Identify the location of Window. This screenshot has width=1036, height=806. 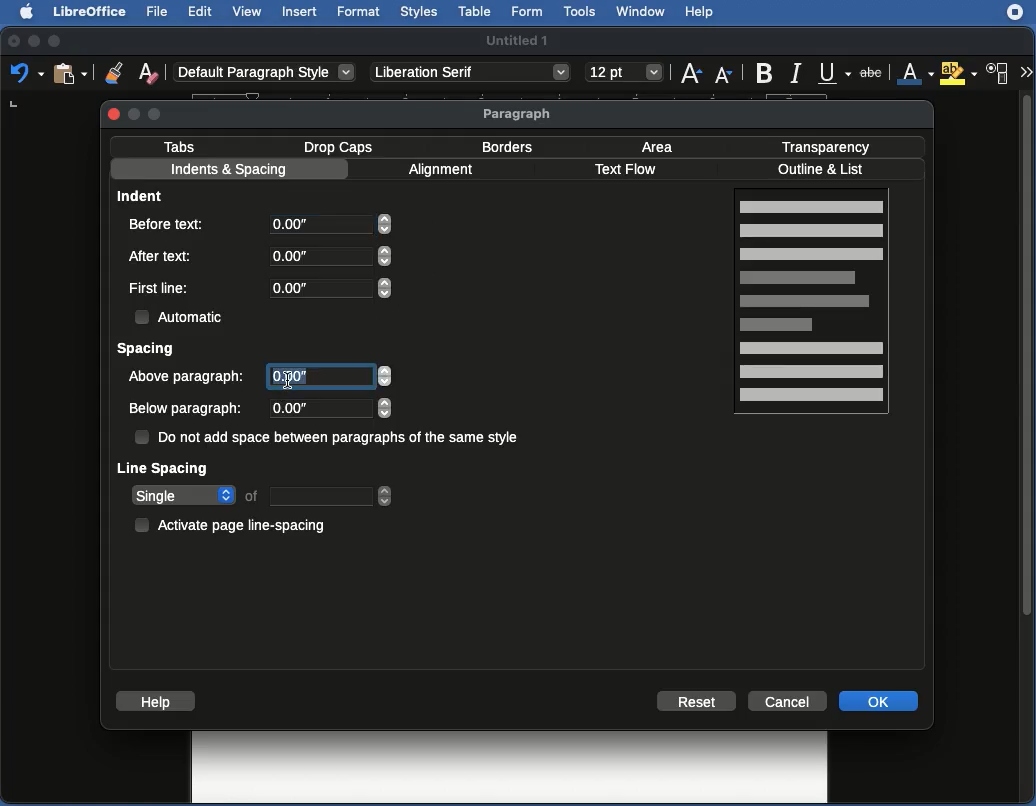
(640, 12).